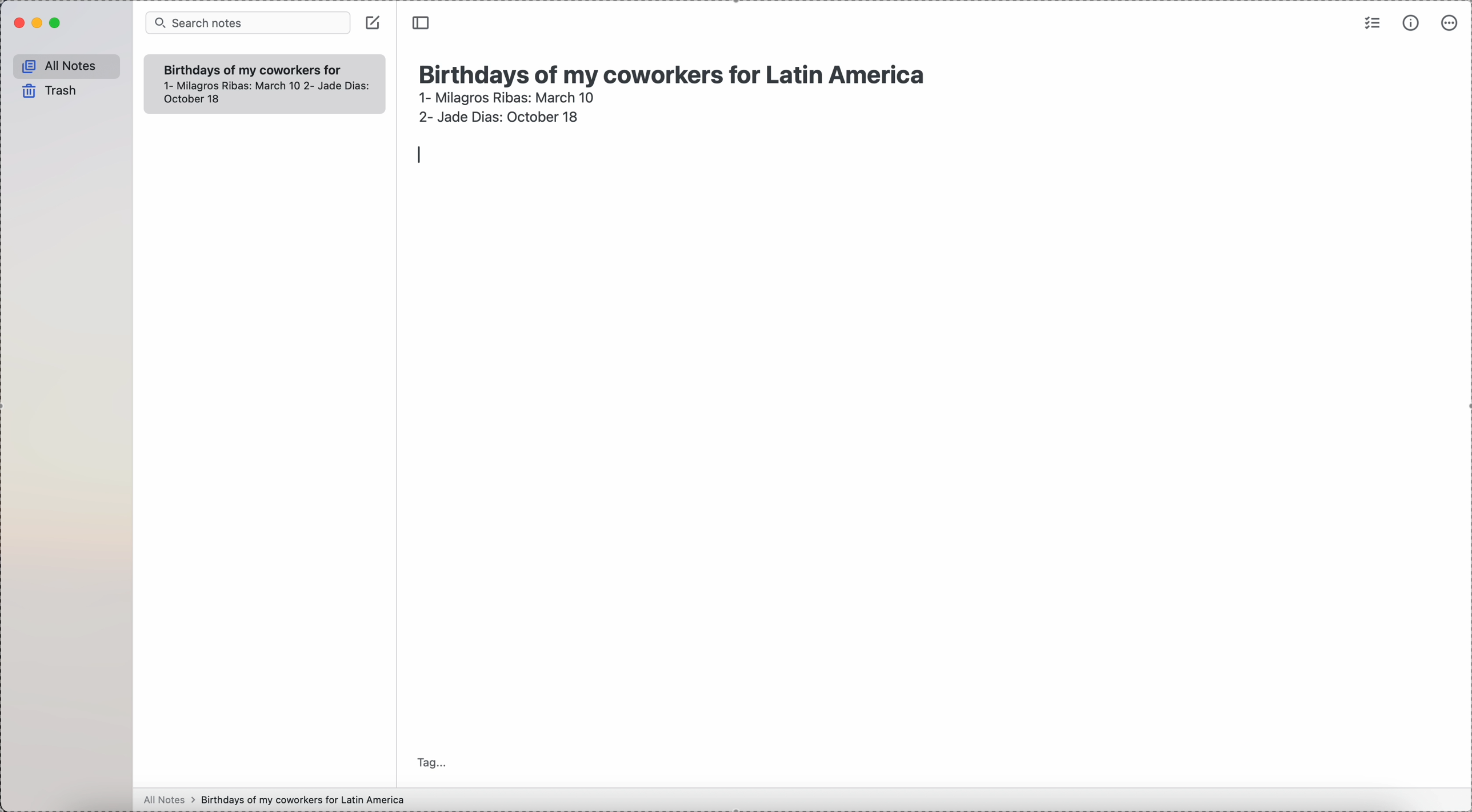 The height and width of the screenshot is (812, 1472). I want to click on minimize Simplenote, so click(39, 24).